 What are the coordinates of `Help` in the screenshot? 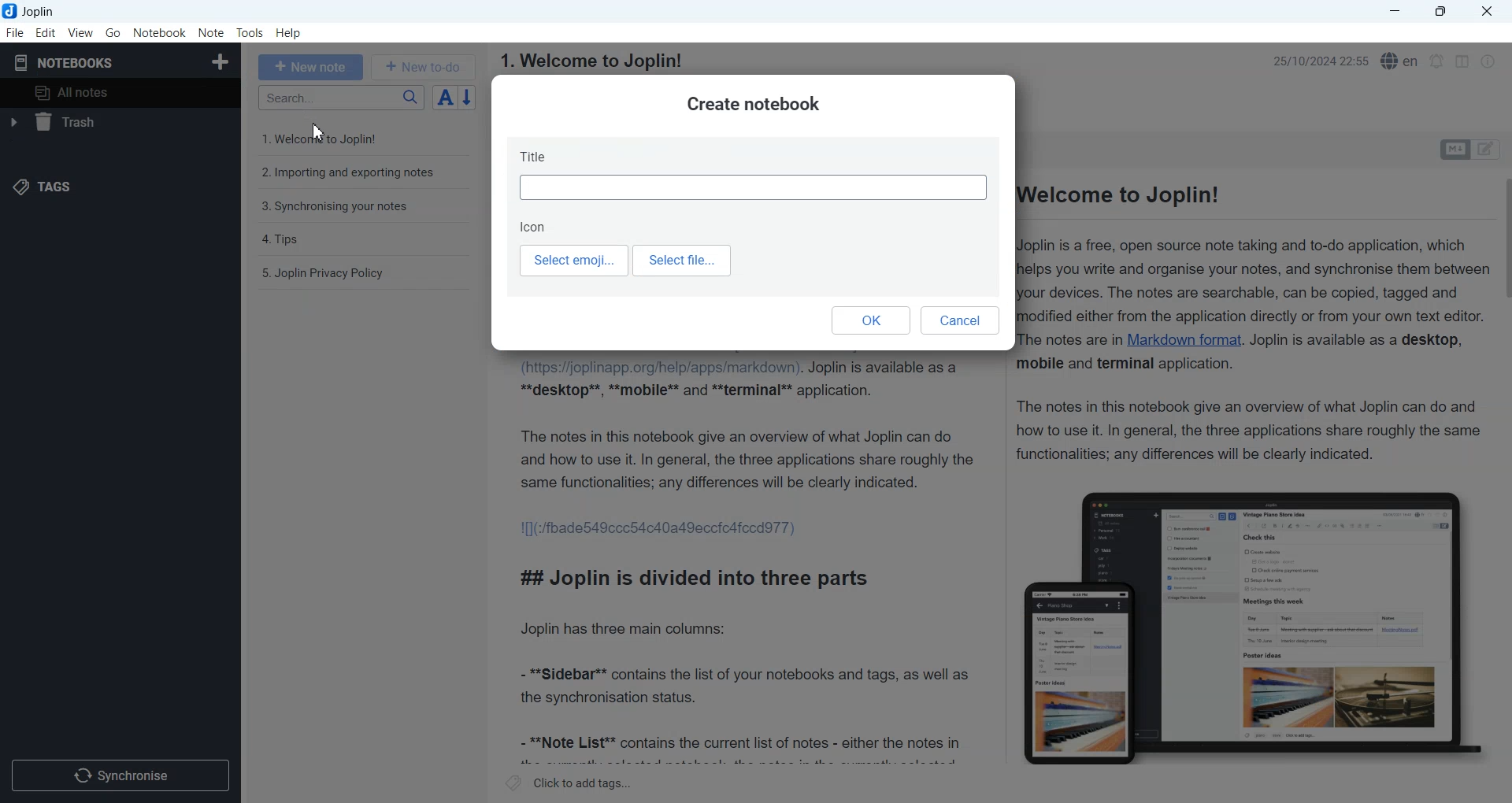 It's located at (290, 34).